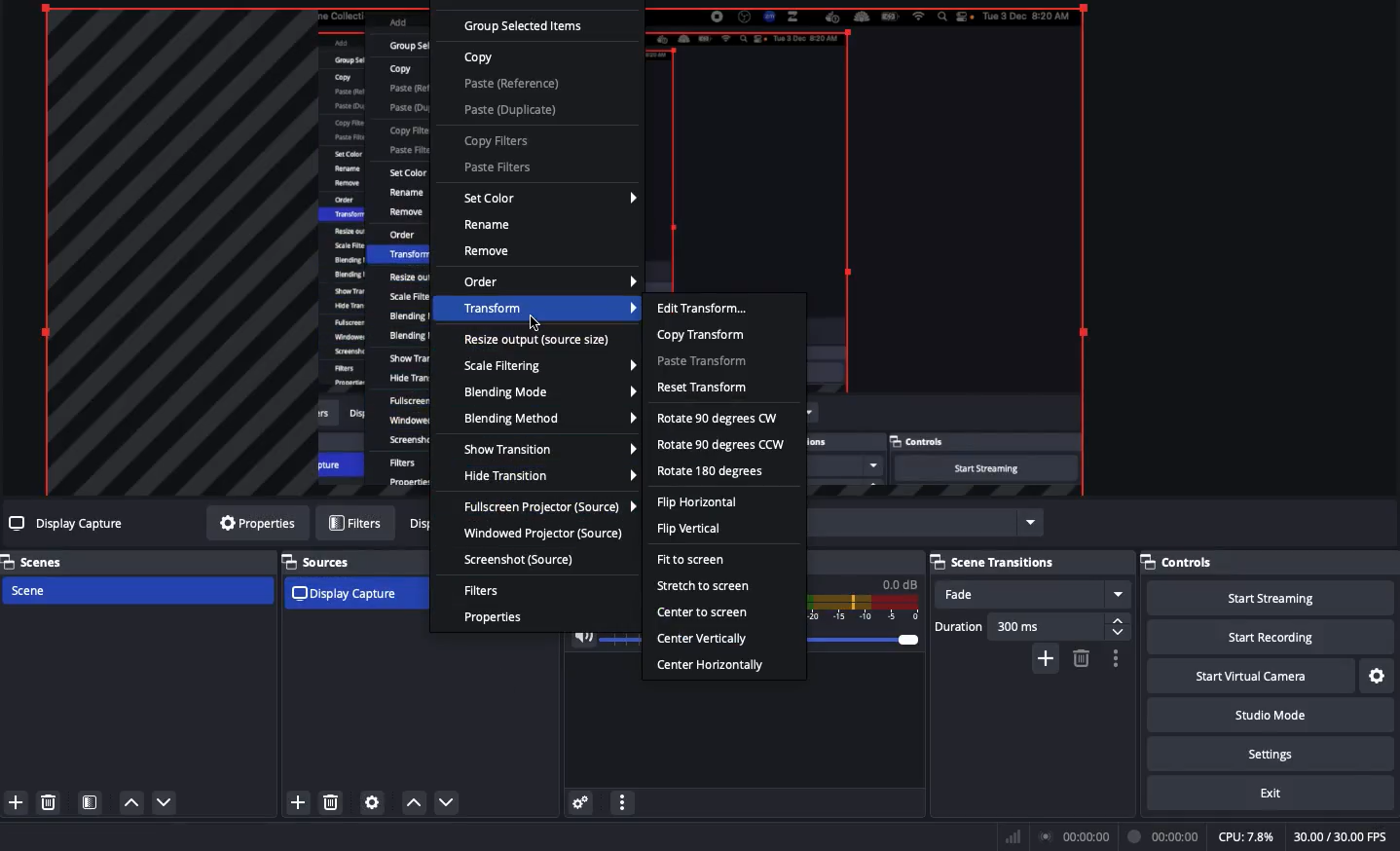  I want to click on Settings, so click(1378, 676).